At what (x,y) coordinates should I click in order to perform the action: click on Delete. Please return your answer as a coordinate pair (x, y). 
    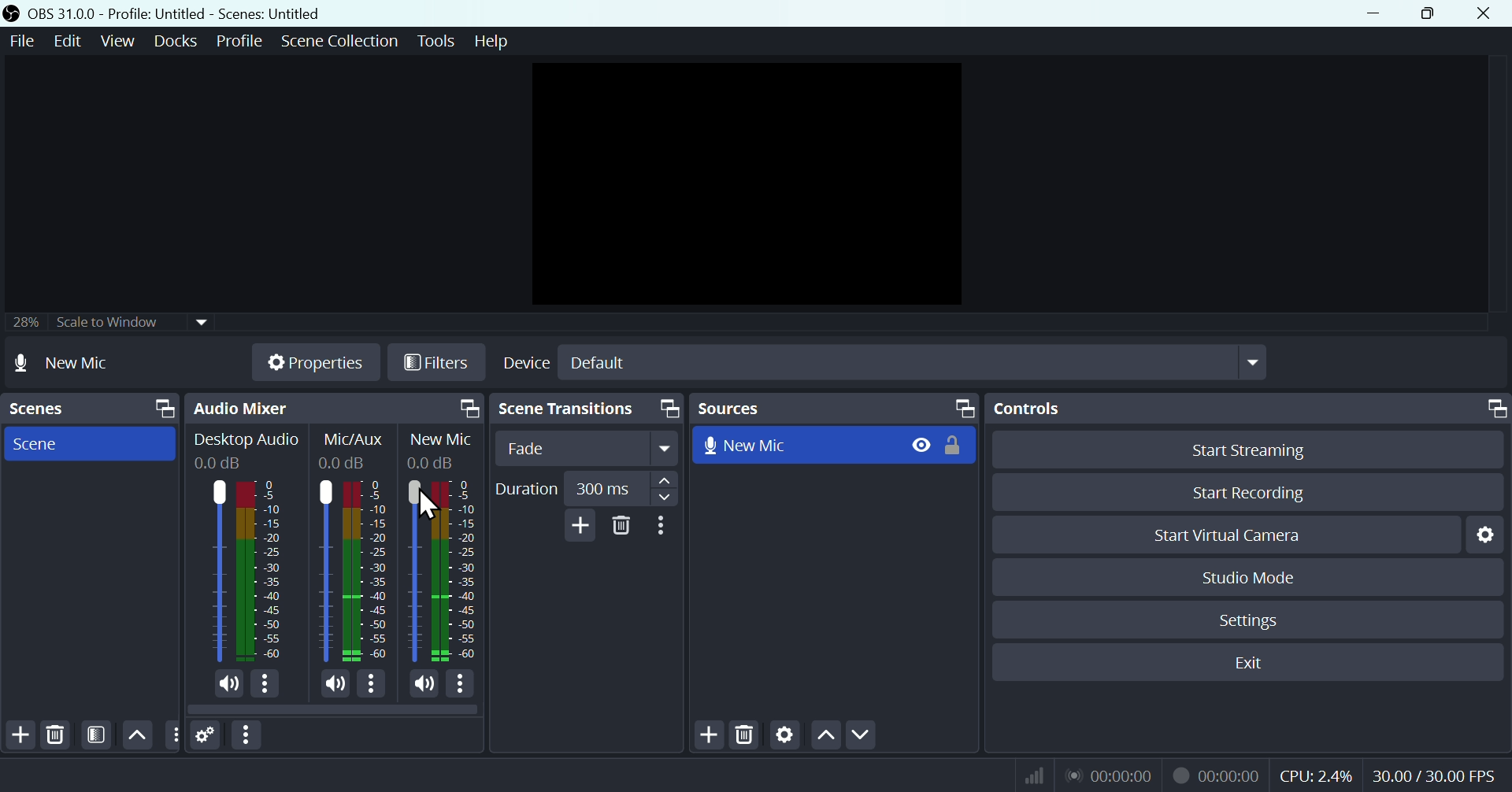
    Looking at the image, I should click on (747, 737).